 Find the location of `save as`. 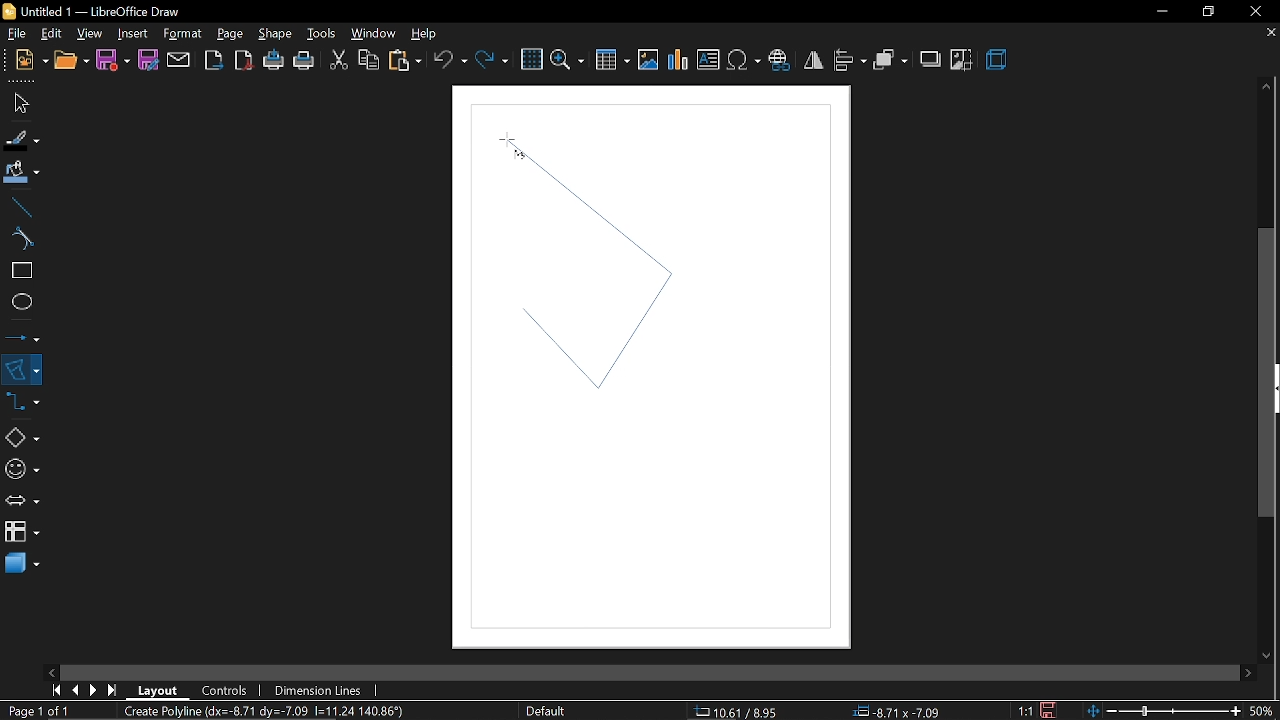

save as is located at coordinates (148, 61).